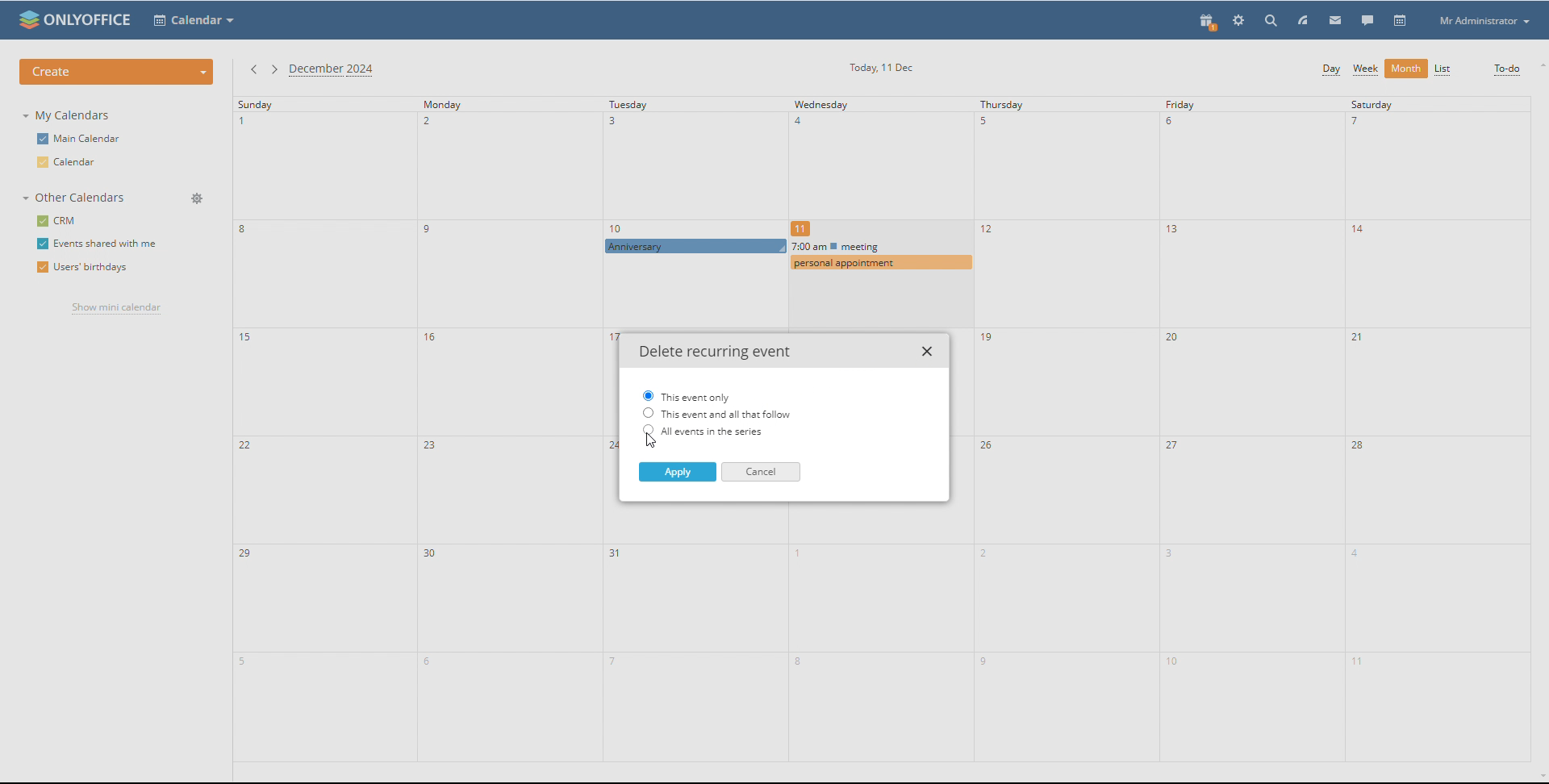  I want to click on cancel, so click(760, 473).